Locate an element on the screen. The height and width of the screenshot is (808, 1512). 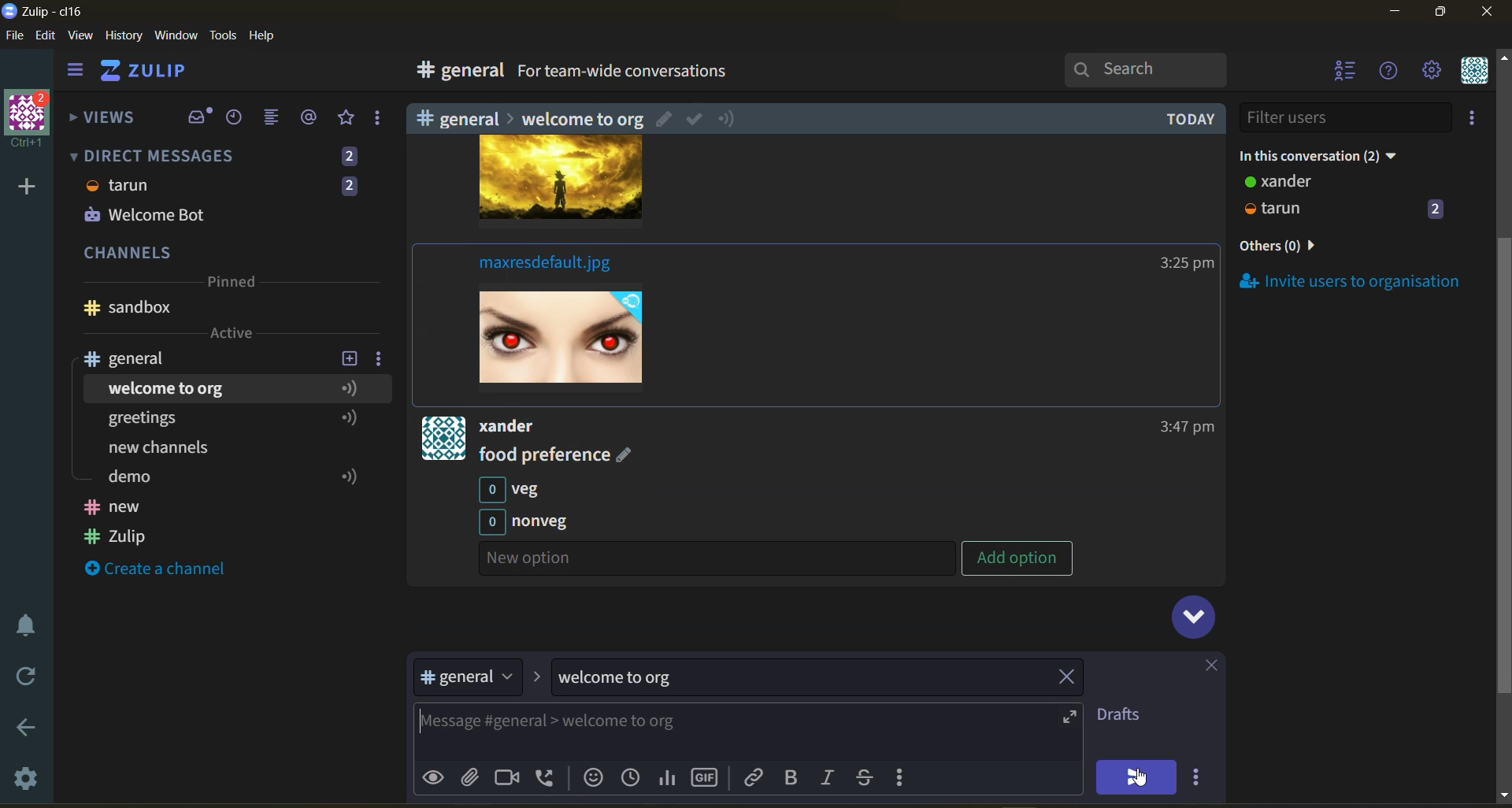
invite users to organisation is located at coordinates (1475, 120).